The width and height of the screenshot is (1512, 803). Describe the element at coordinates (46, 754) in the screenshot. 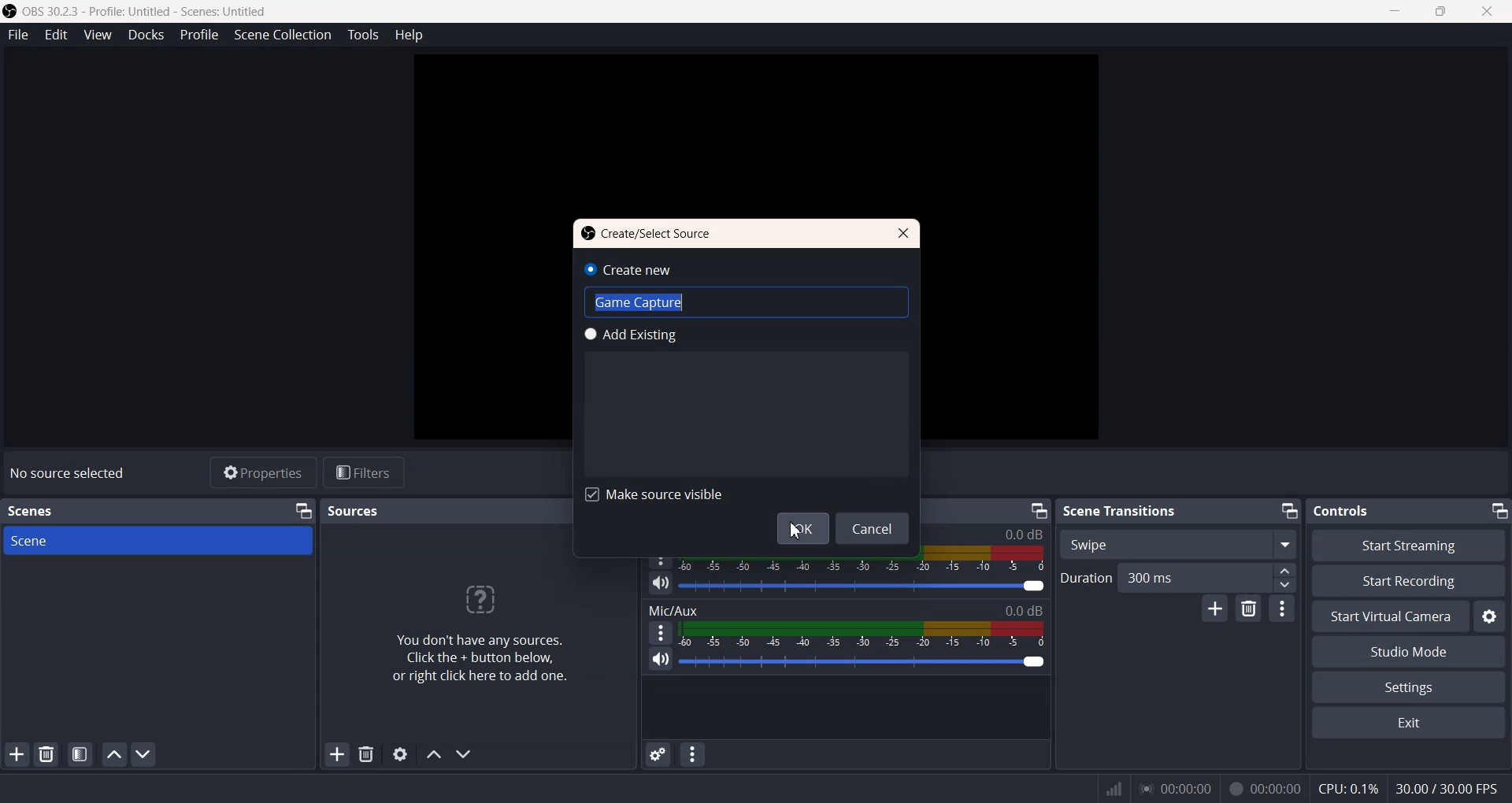

I see `Remove Selected Scene` at that location.